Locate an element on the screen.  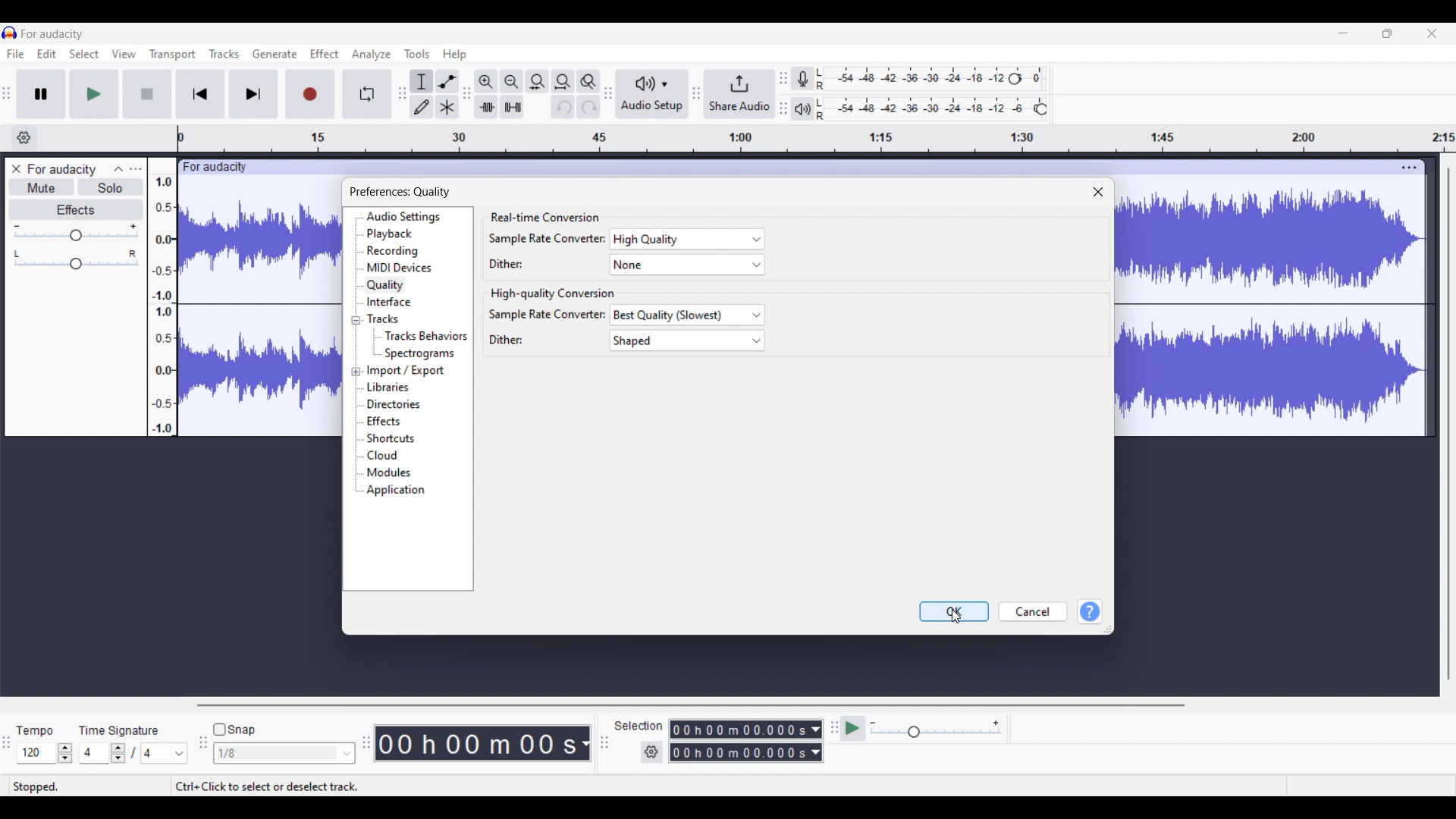
Multi-tool is located at coordinates (447, 107).